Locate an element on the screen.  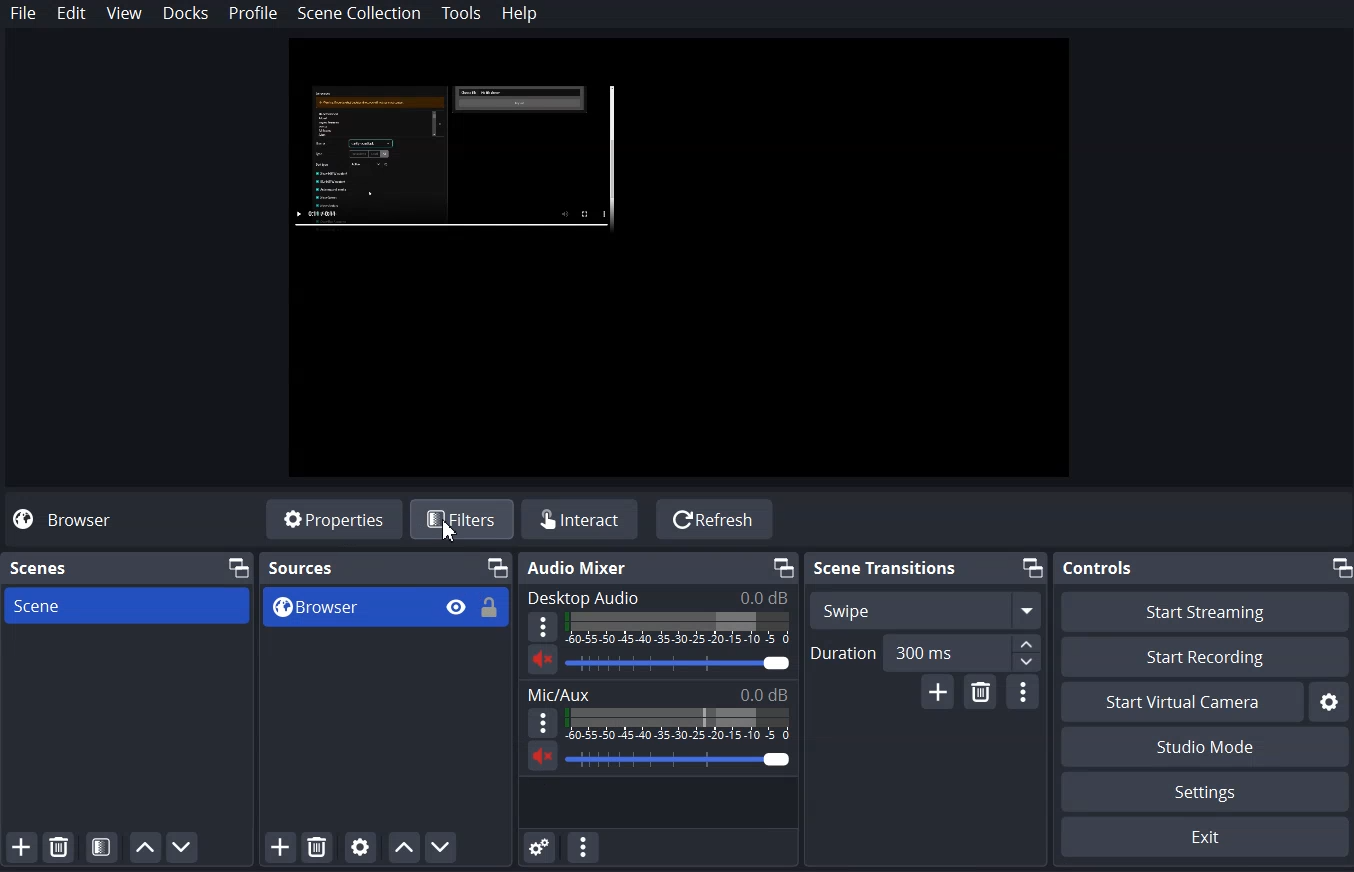
Add Source is located at coordinates (281, 848).